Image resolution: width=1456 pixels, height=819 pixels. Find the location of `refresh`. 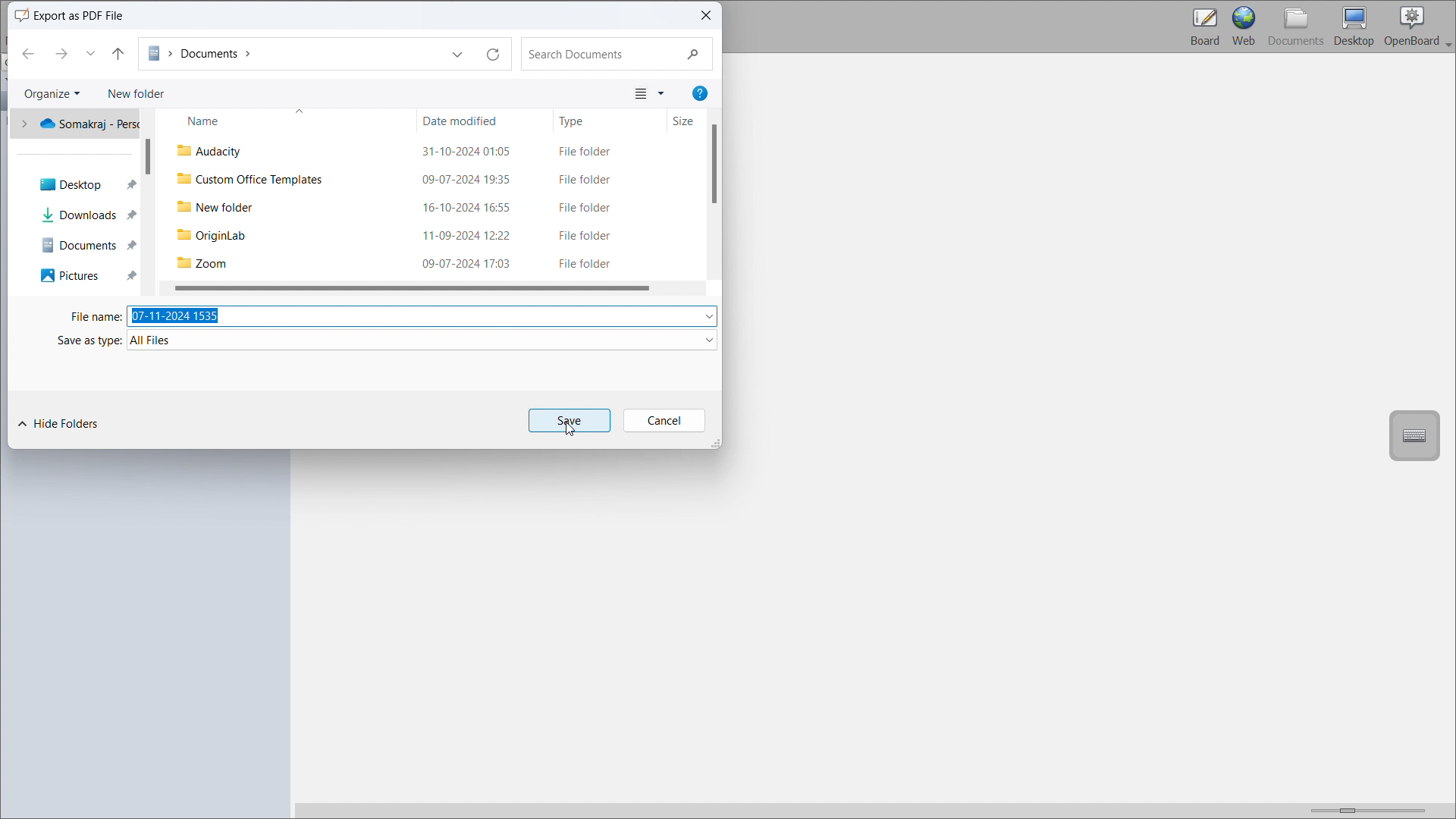

refresh is located at coordinates (494, 57).